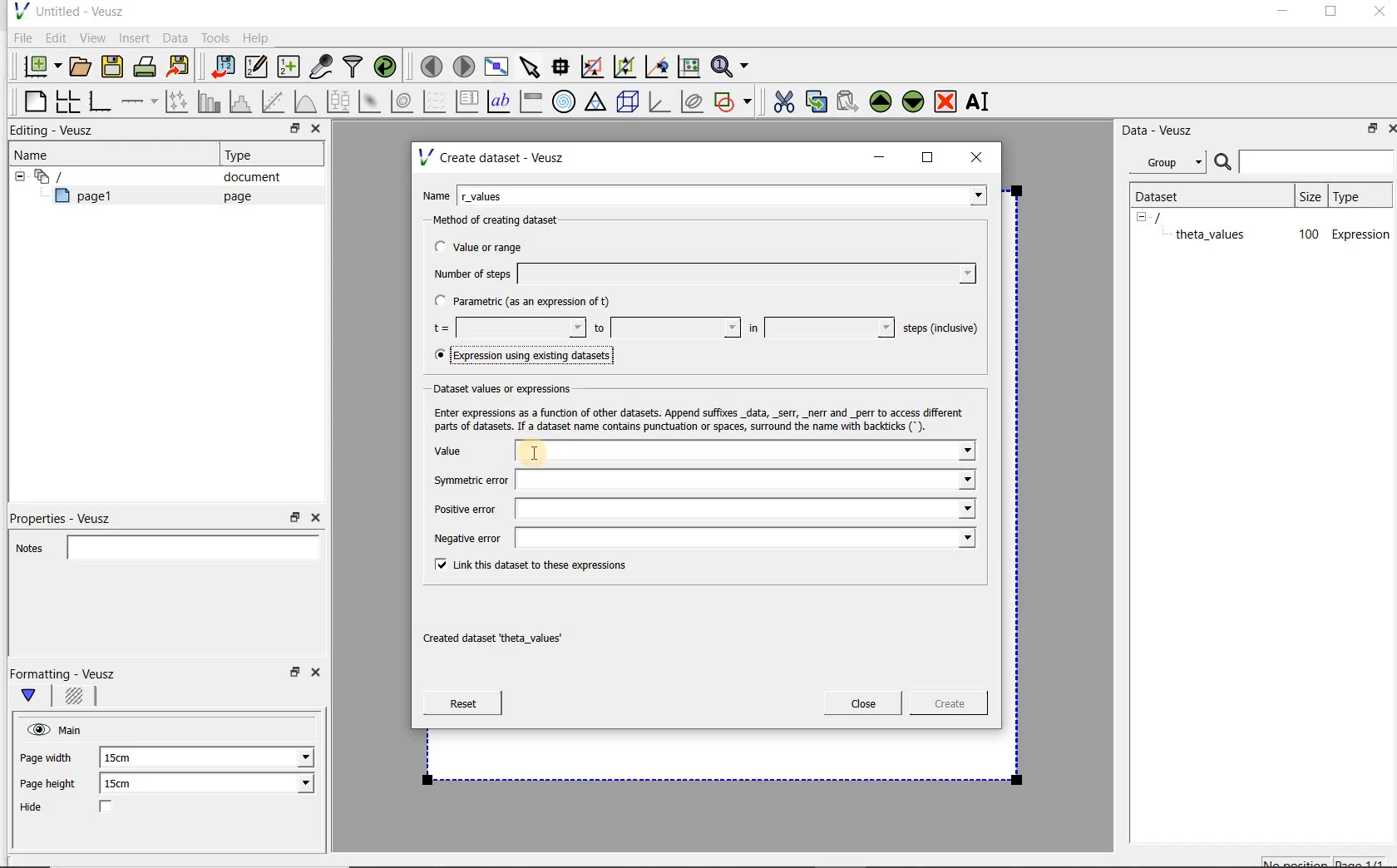 The height and width of the screenshot is (868, 1397). I want to click on blank page, so click(32, 99).